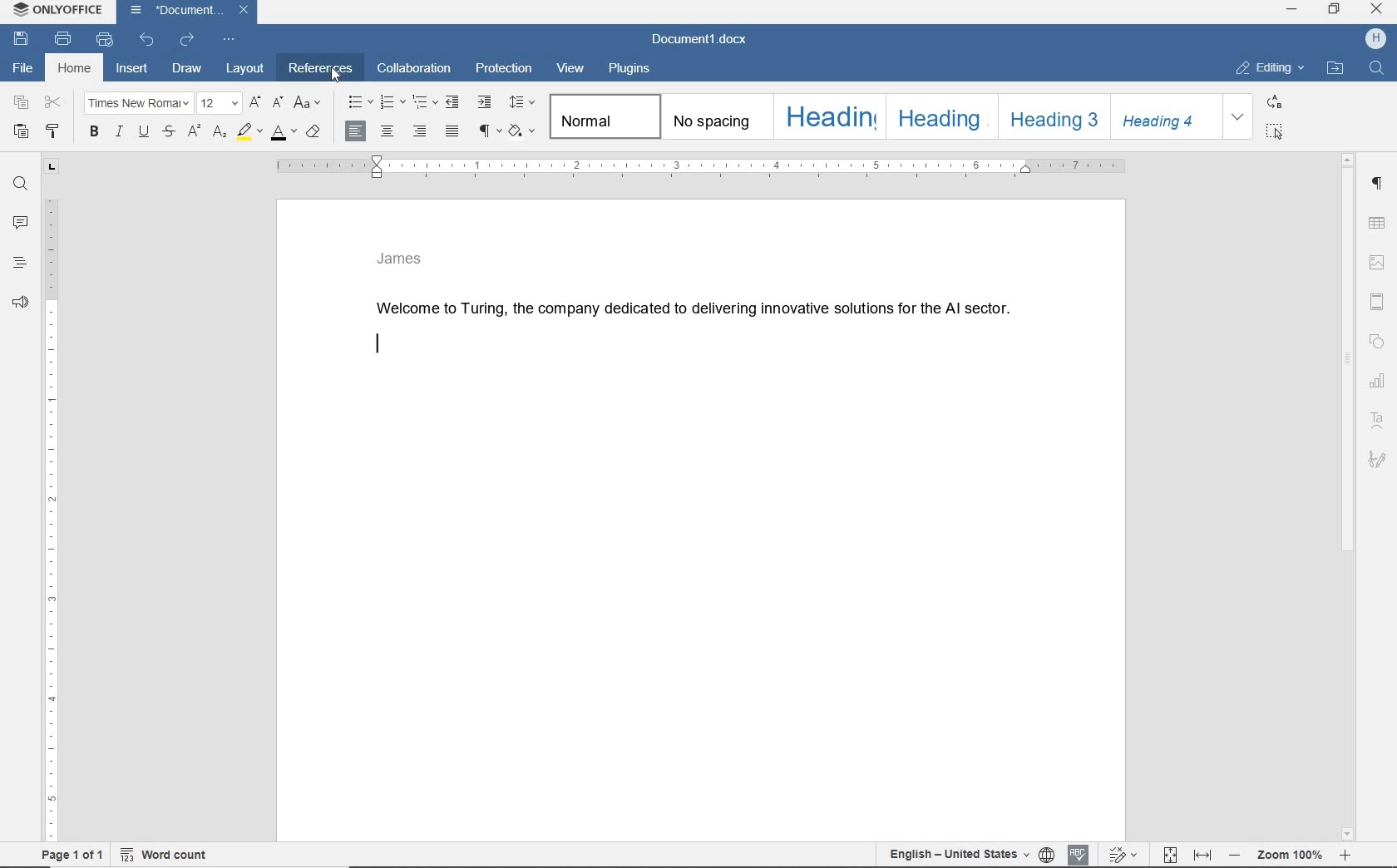 This screenshot has height=868, width=1397. I want to click on copy, so click(22, 102).